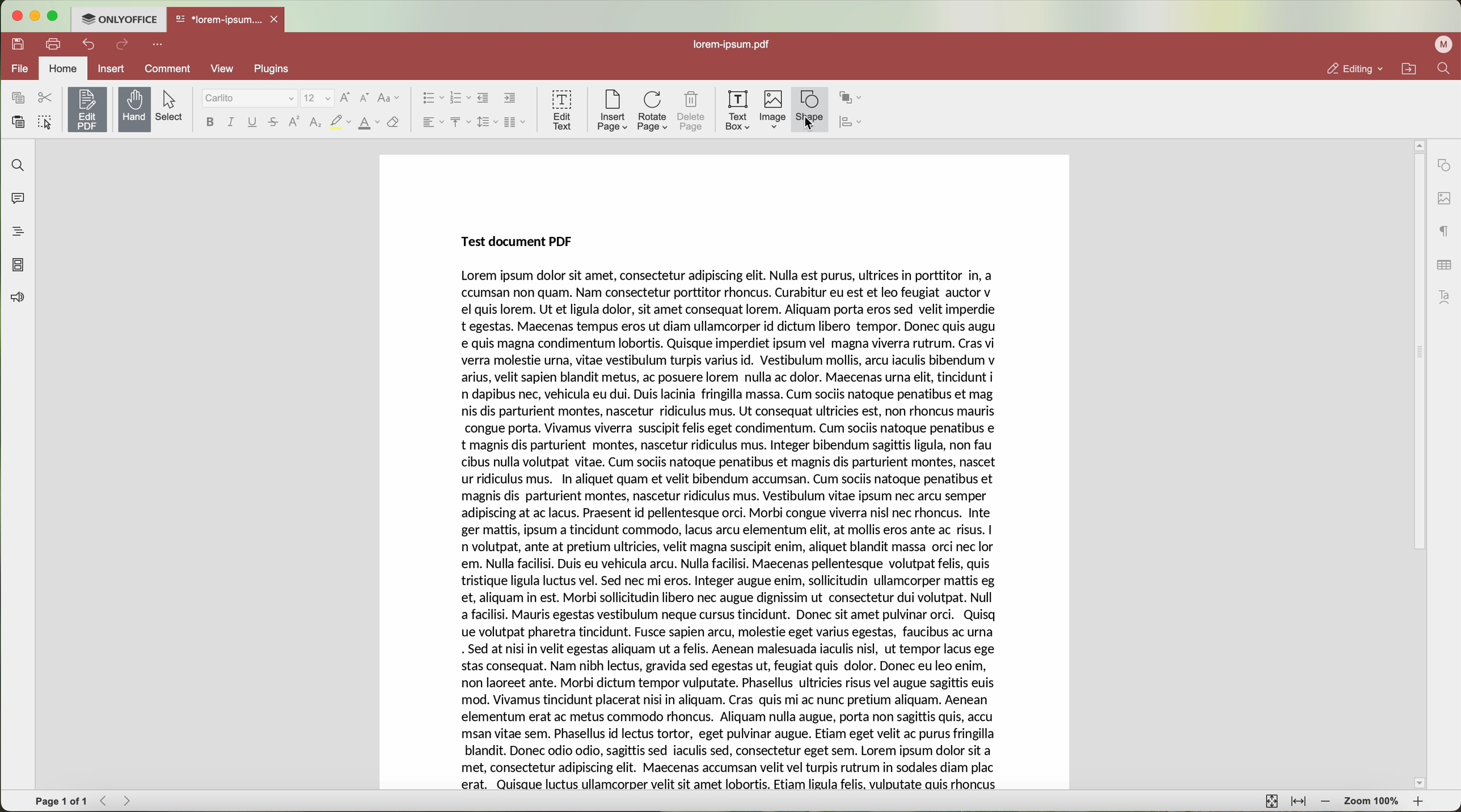 The width and height of the screenshot is (1461, 812). Describe the element at coordinates (174, 106) in the screenshot. I see `select` at that location.